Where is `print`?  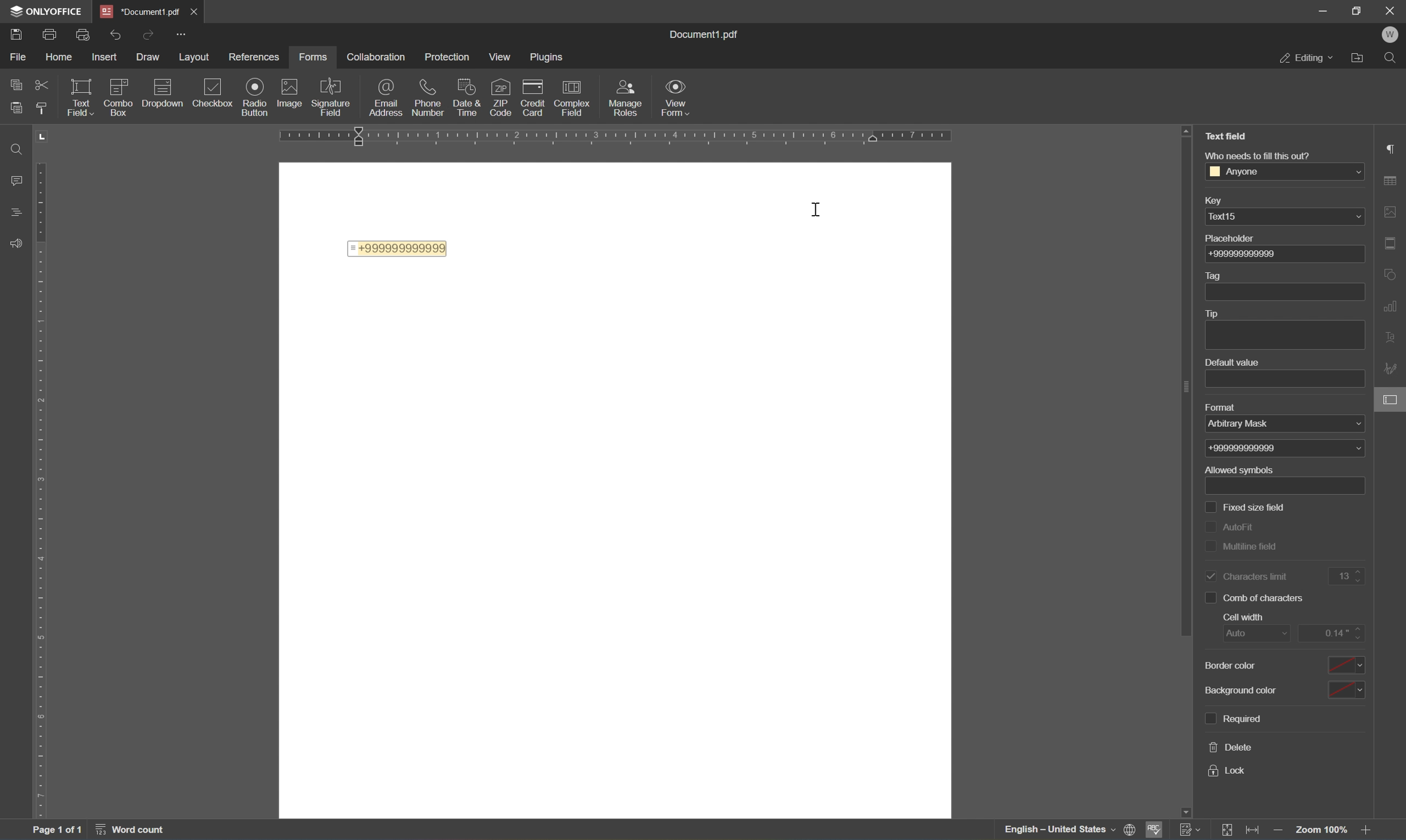
print is located at coordinates (49, 33).